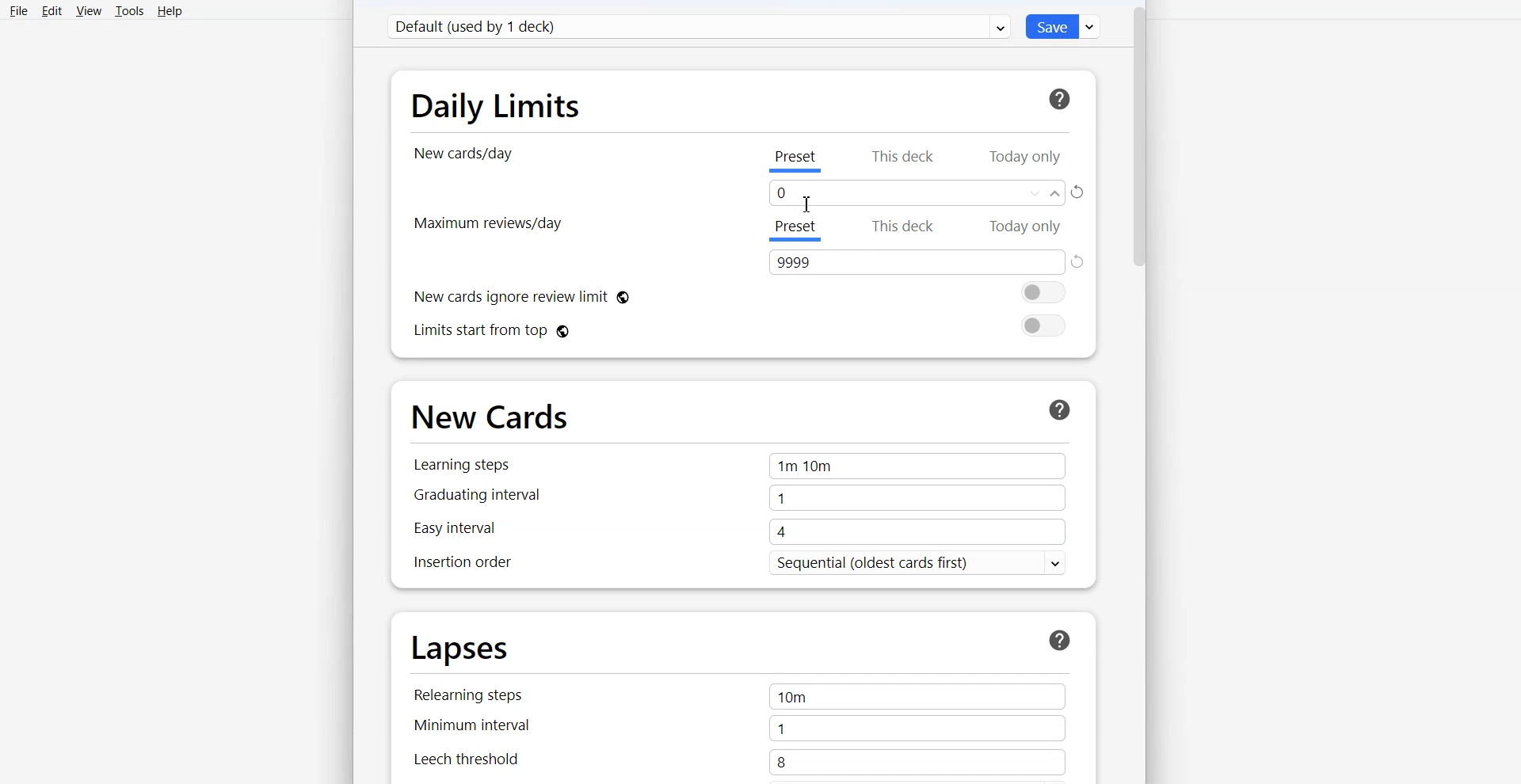 This screenshot has height=784, width=1521. Describe the element at coordinates (493, 417) in the screenshot. I see `New Cards` at that location.